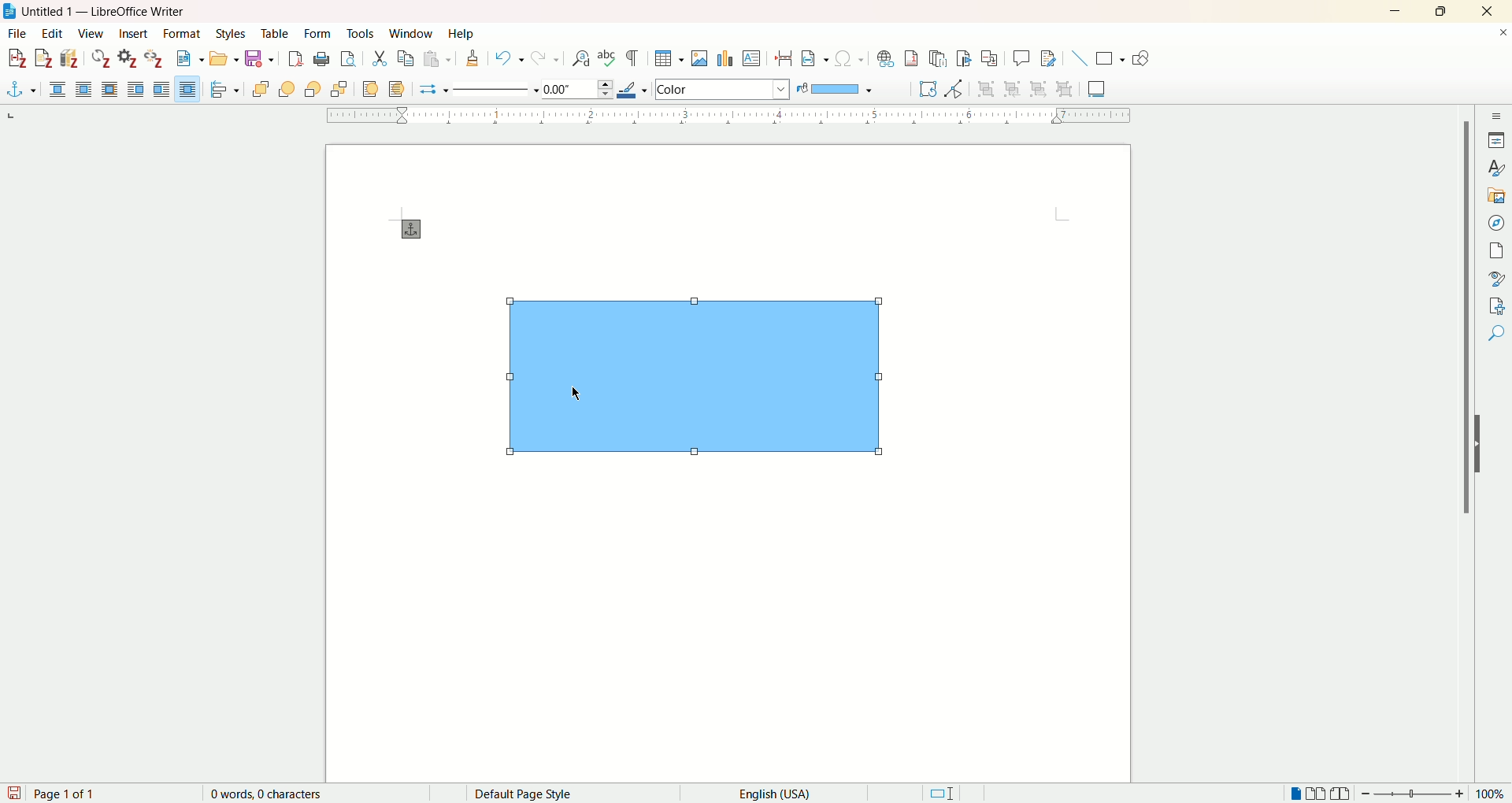  I want to click on close, so click(1487, 10).